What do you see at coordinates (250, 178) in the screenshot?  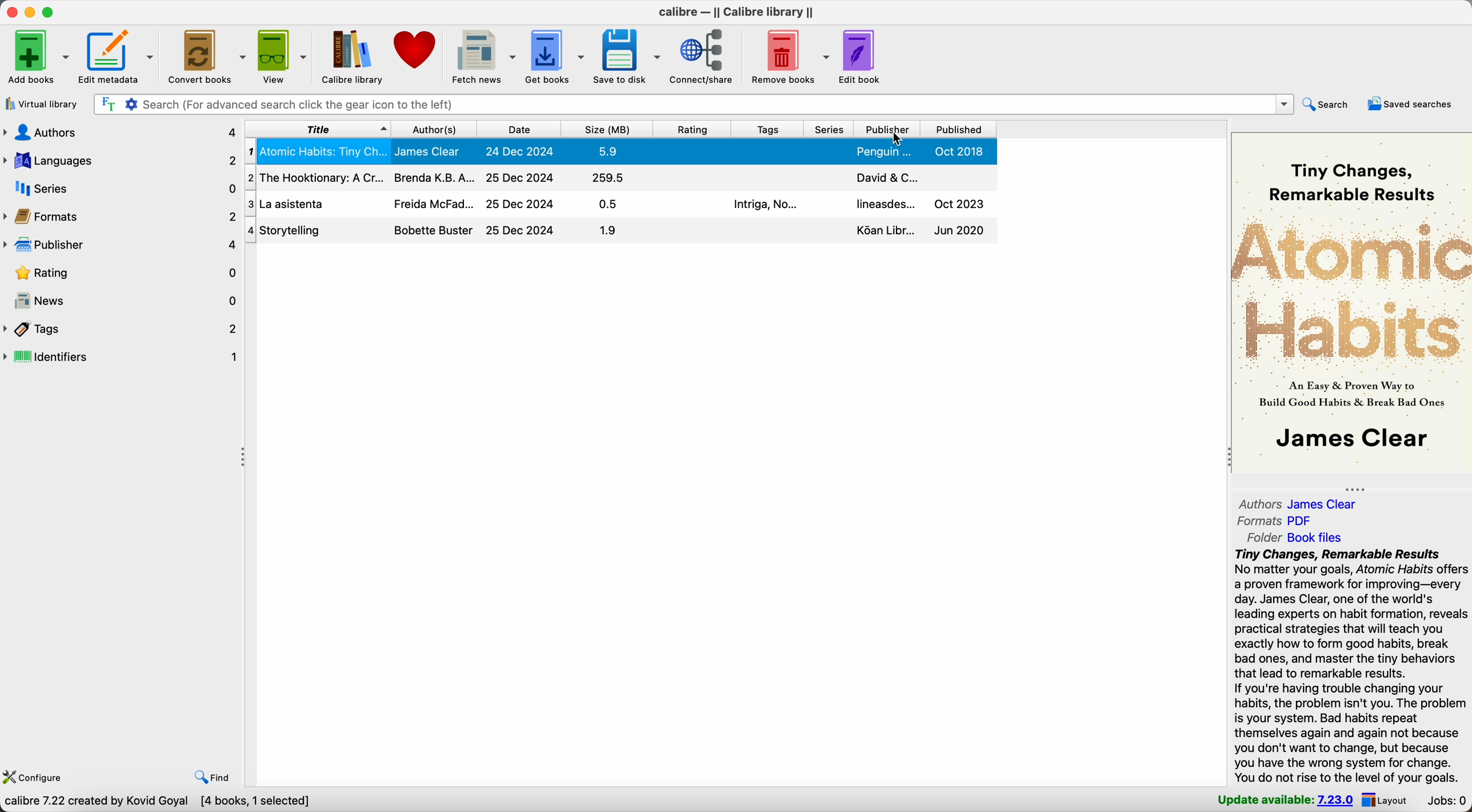 I see `2` at bounding box center [250, 178].